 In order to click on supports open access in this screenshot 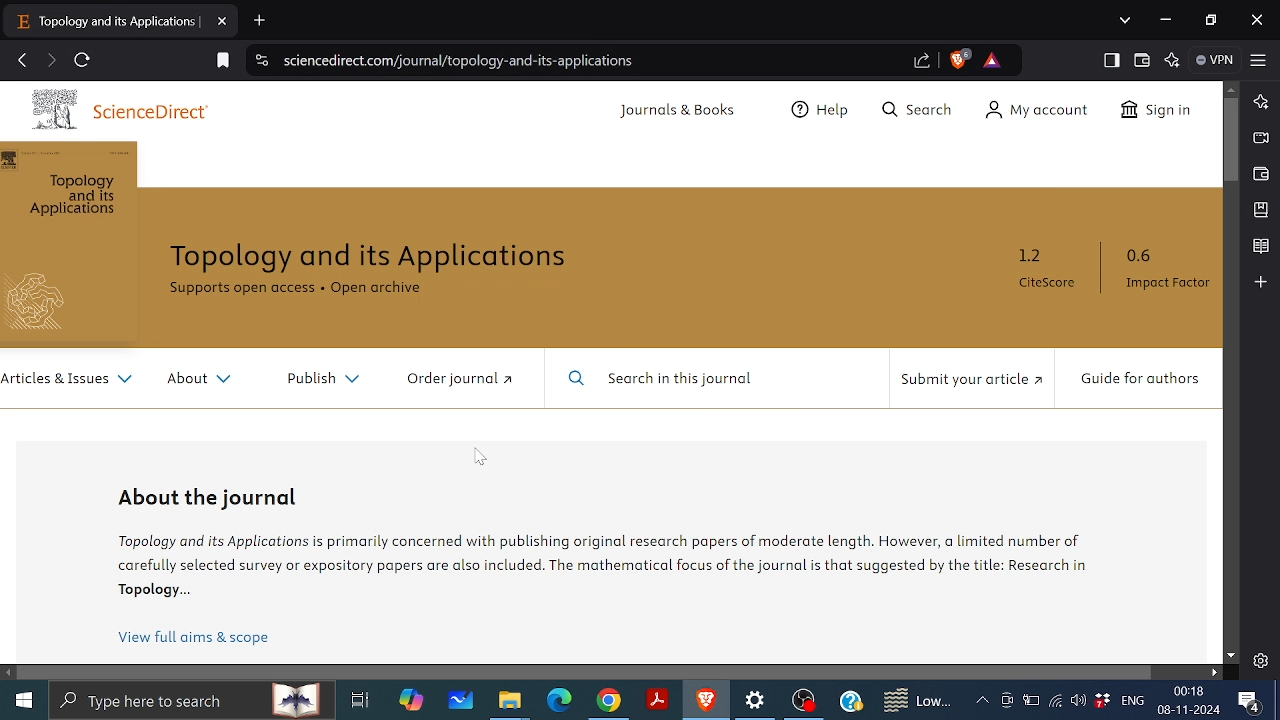, I will do `click(243, 290)`.